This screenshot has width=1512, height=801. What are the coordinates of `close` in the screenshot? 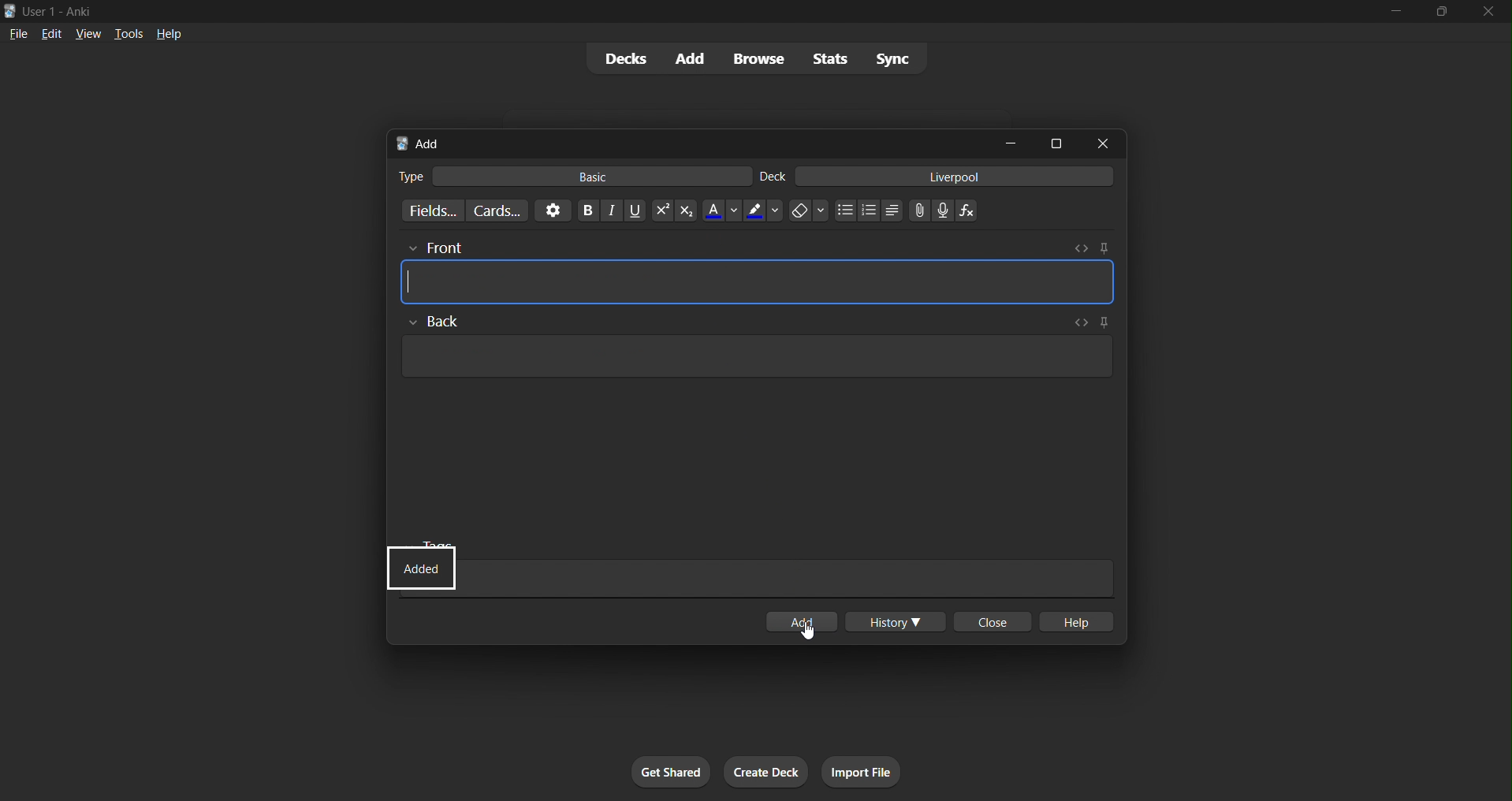 It's located at (1098, 142).